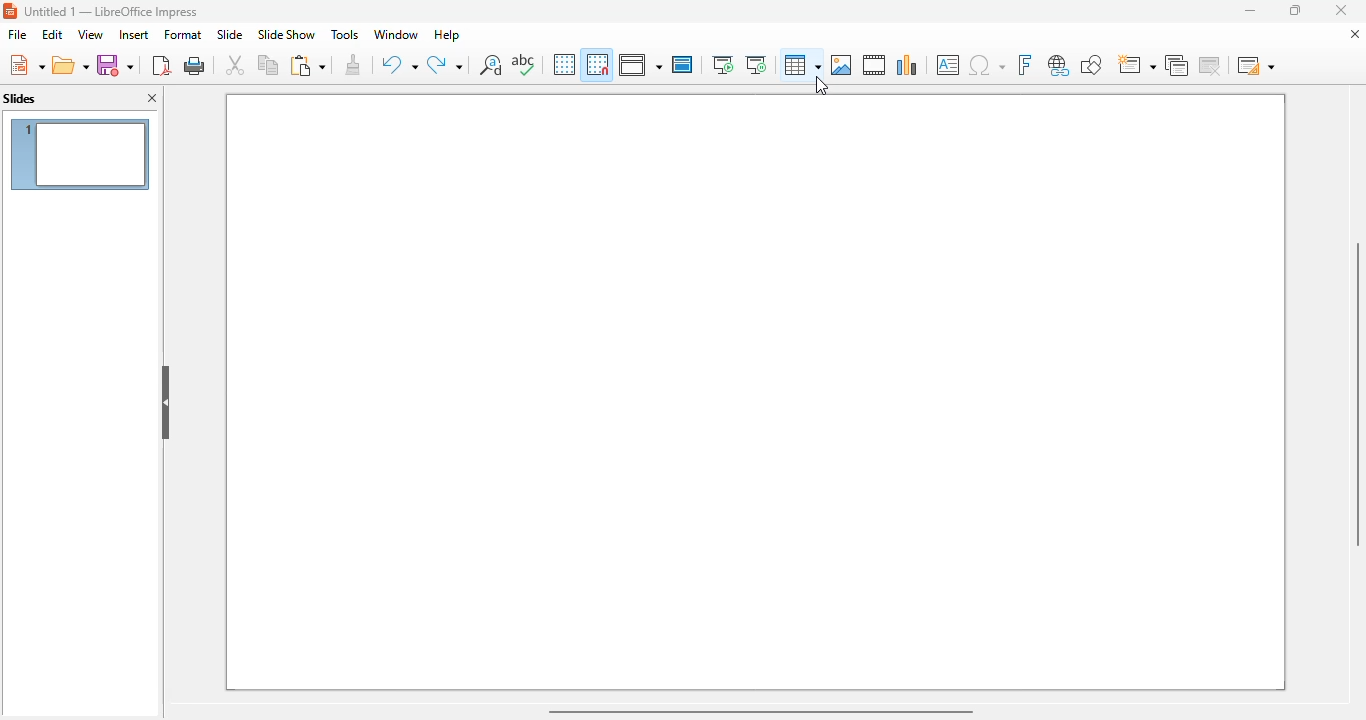 The image size is (1366, 720). I want to click on minimize, so click(1252, 11).